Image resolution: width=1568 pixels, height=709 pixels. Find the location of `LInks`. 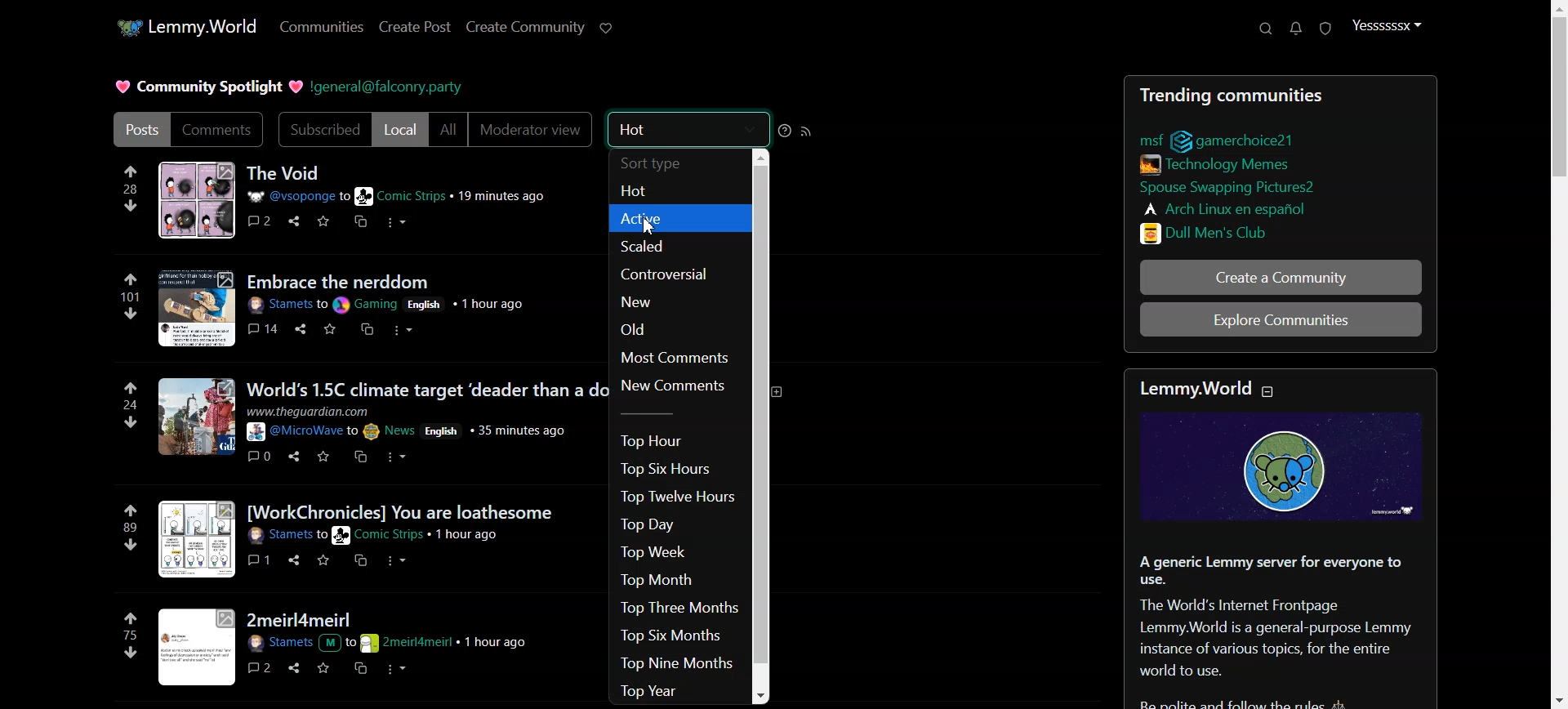

LInks is located at coordinates (1211, 232).